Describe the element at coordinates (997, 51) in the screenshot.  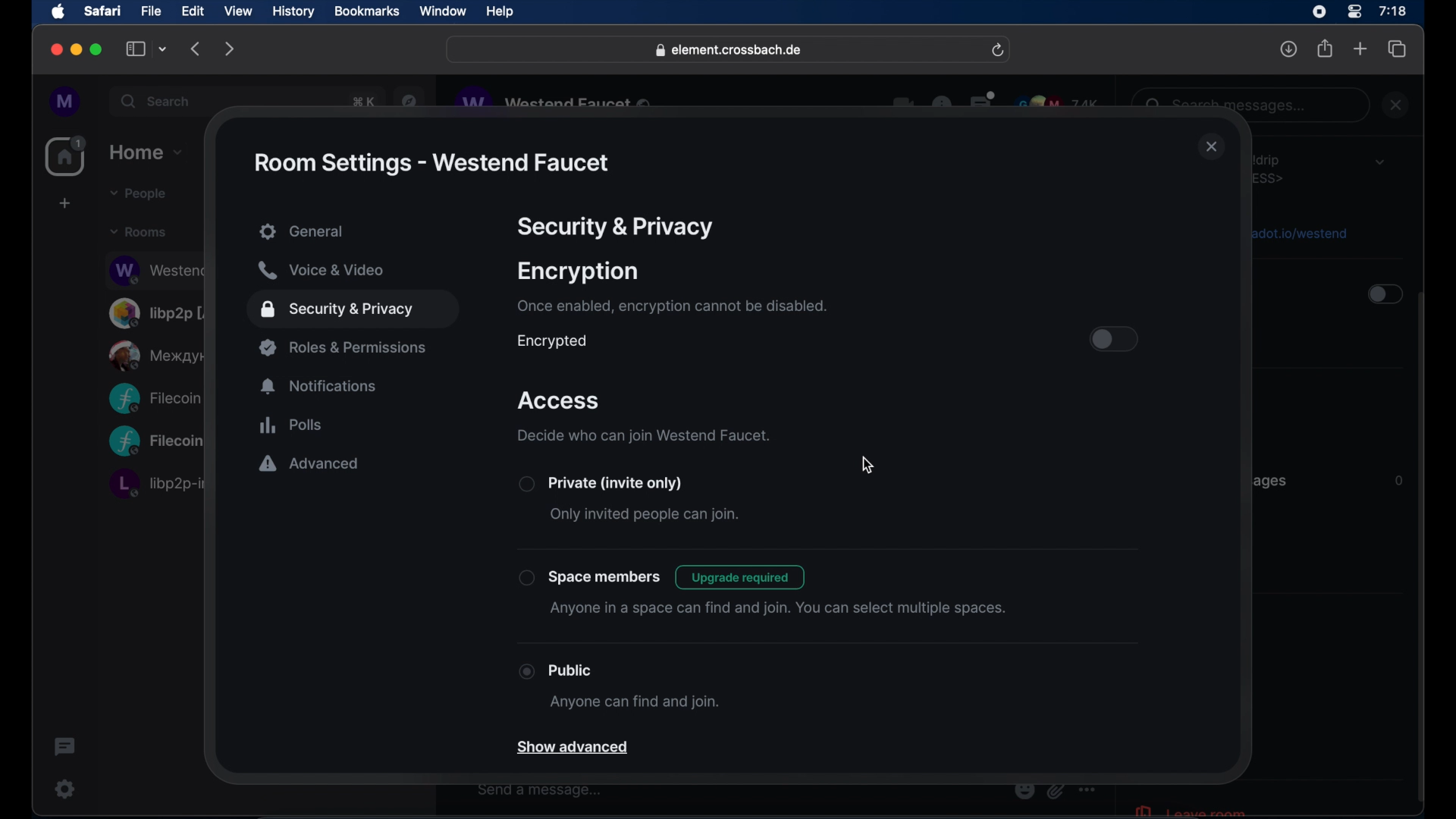
I see `refresh` at that location.